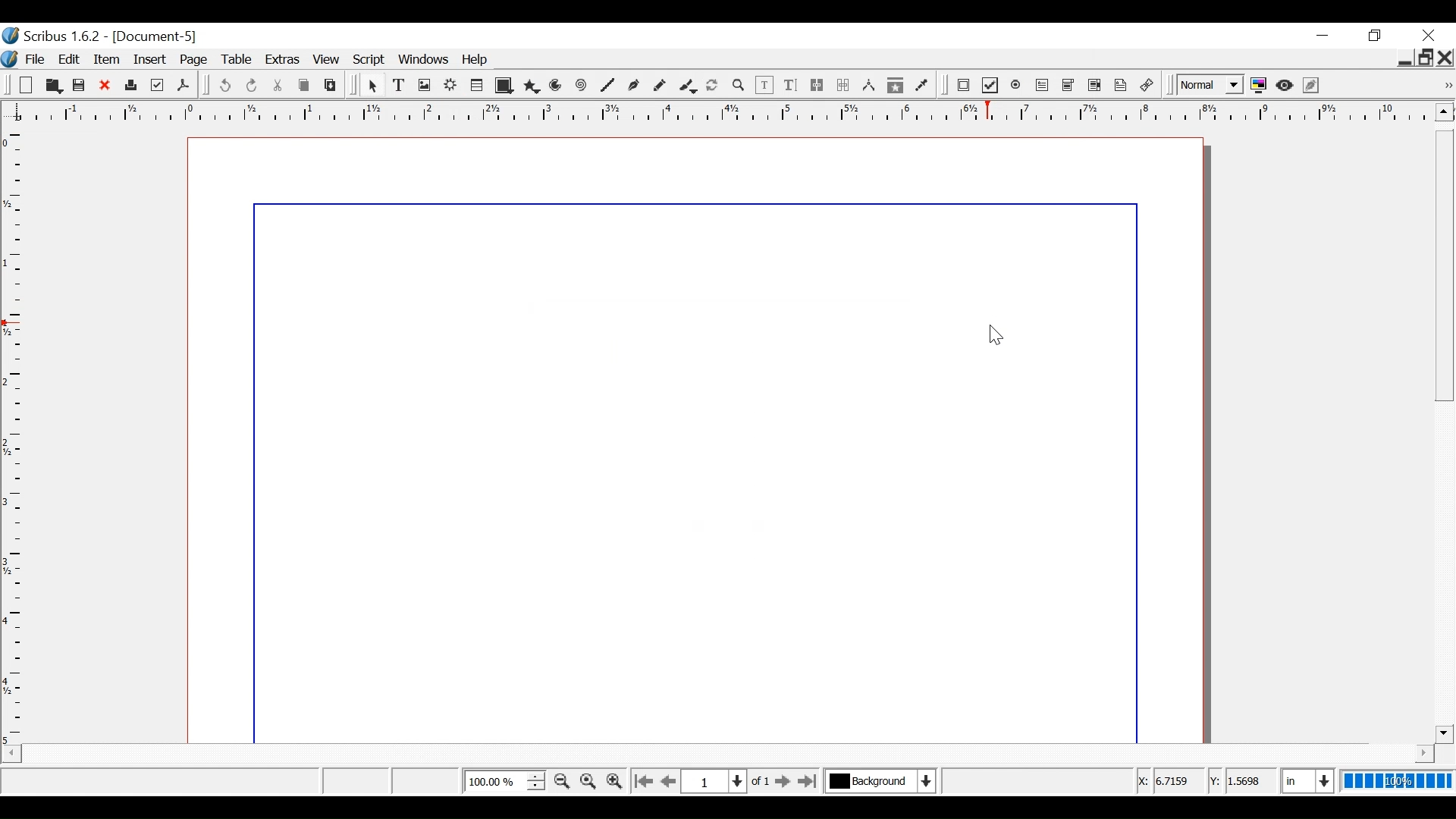 This screenshot has height=819, width=1456. Describe the element at coordinates (52, 86) in the screenshot. I see `Open` at that location.